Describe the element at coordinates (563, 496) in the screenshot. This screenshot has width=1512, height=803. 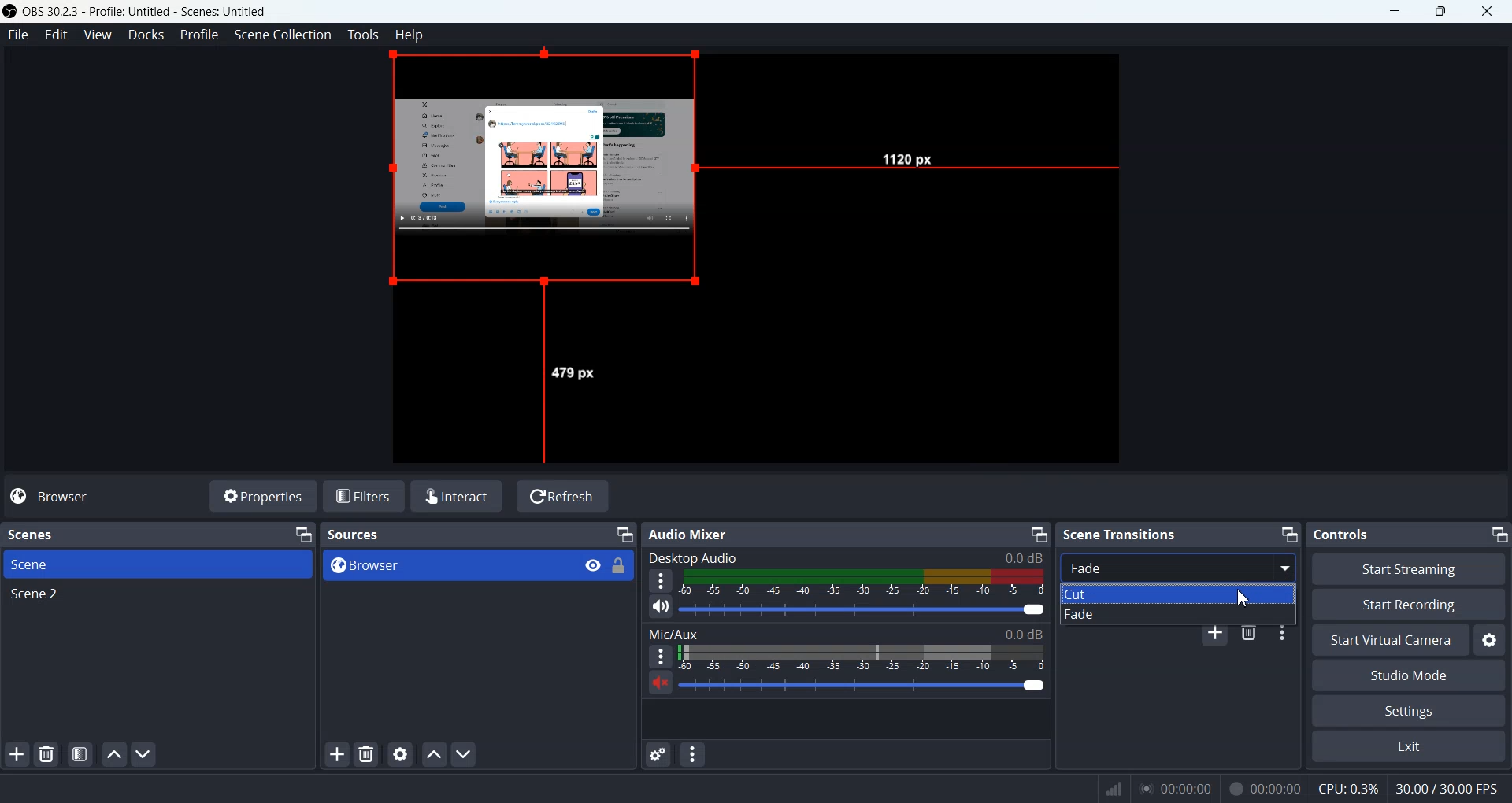
I see `Refresh` at that location.